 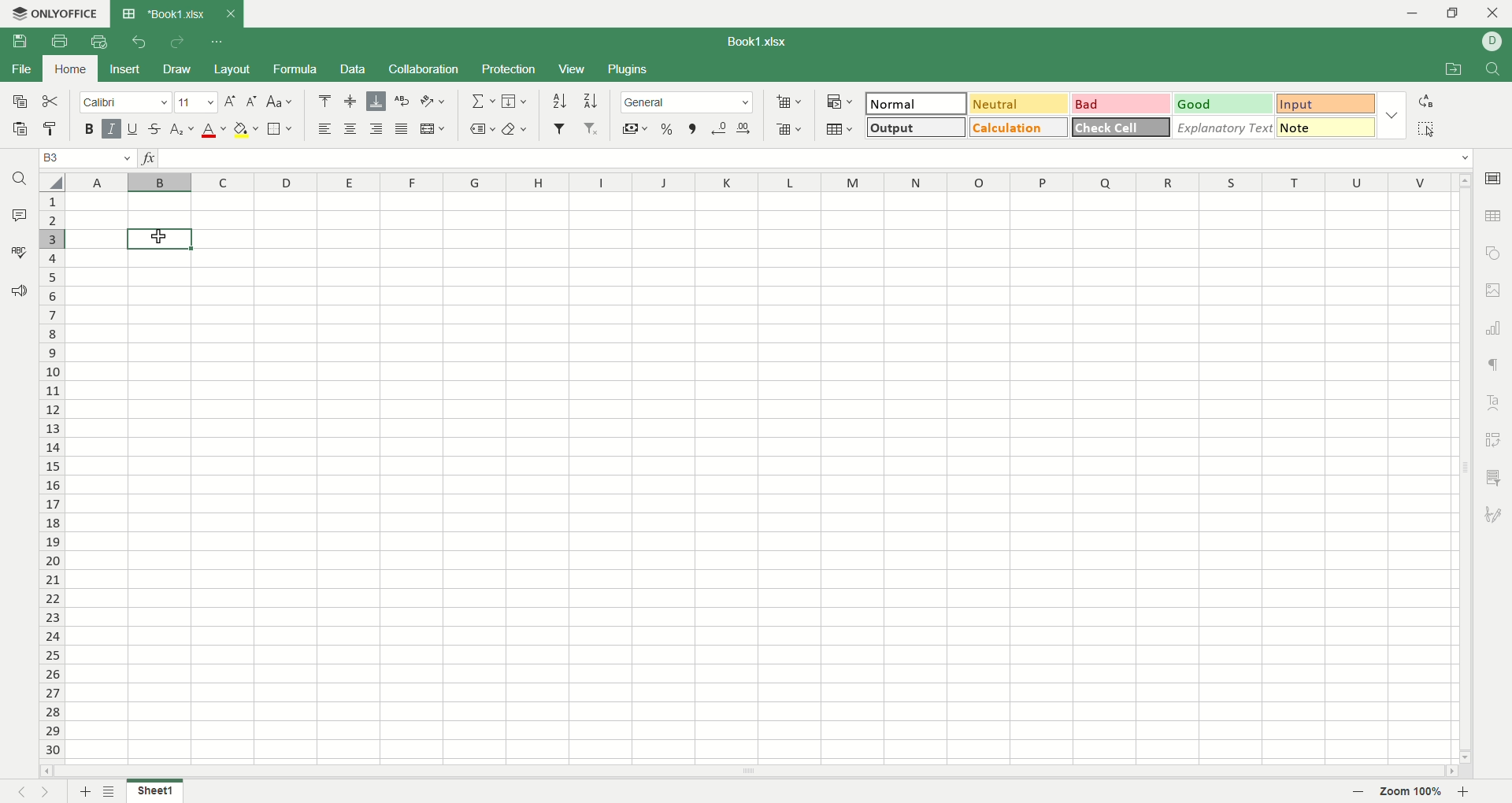 I want to click on copy style, so click(x=50, y=128).